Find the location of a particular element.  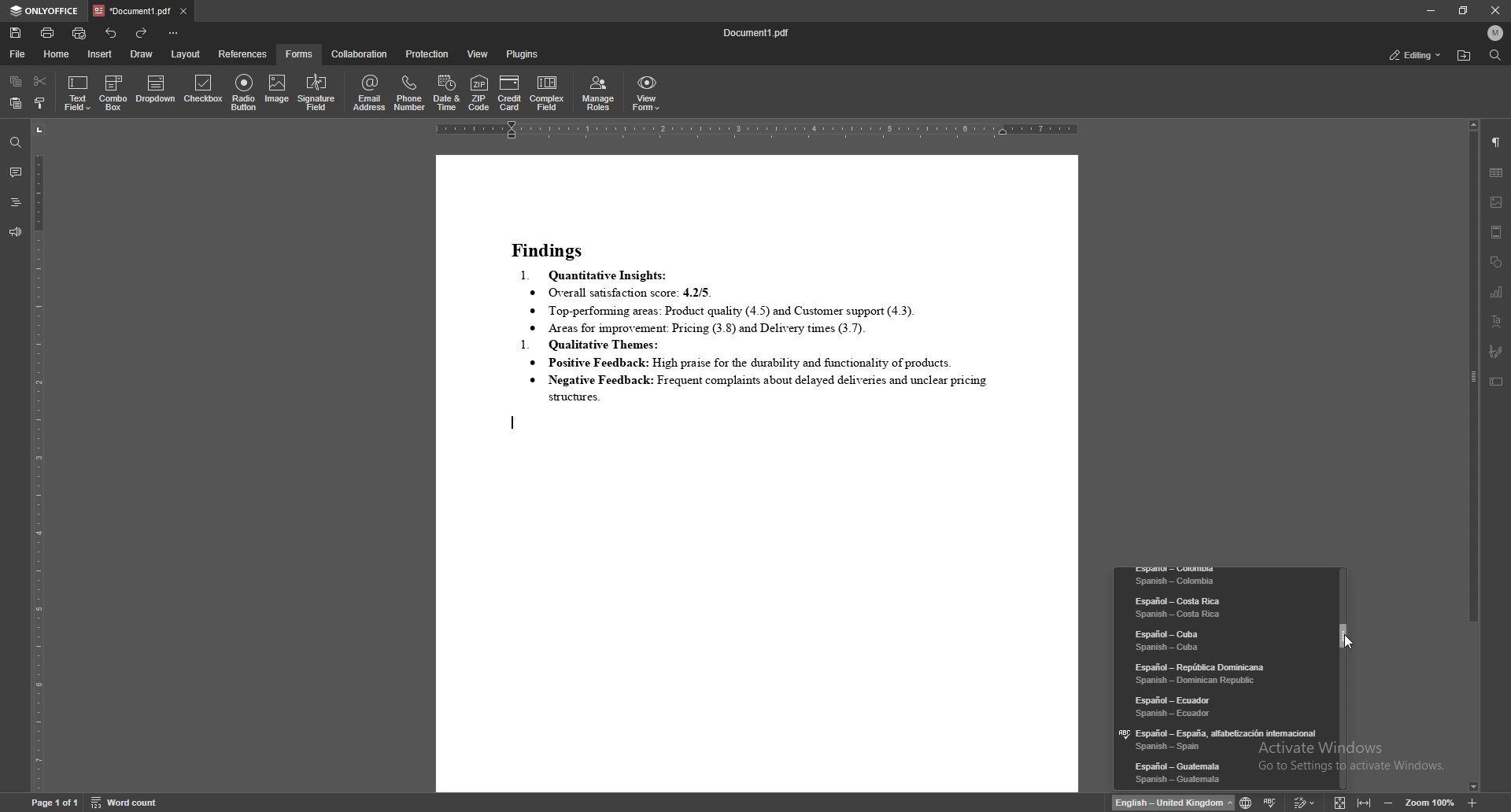

paragraph is located at coordinates (1495, 142).